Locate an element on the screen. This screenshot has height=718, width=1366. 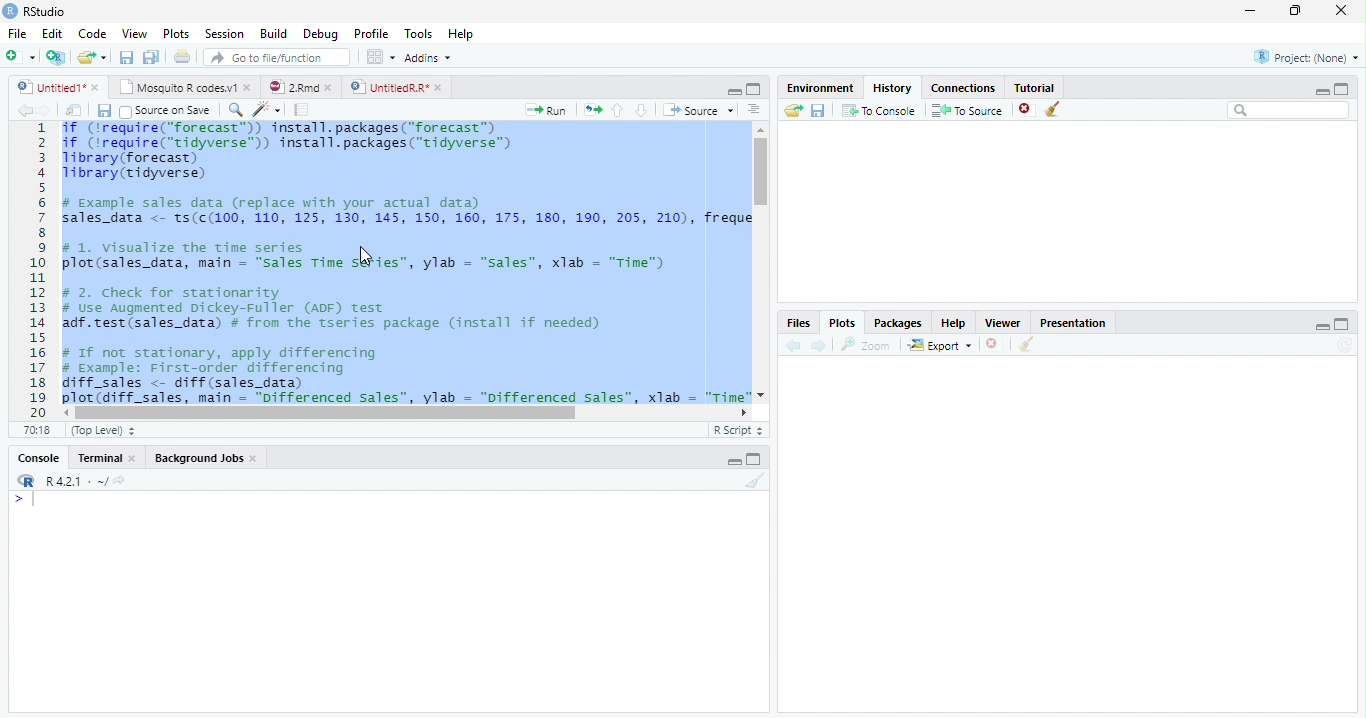
Down is located at coordinates (642, 111).